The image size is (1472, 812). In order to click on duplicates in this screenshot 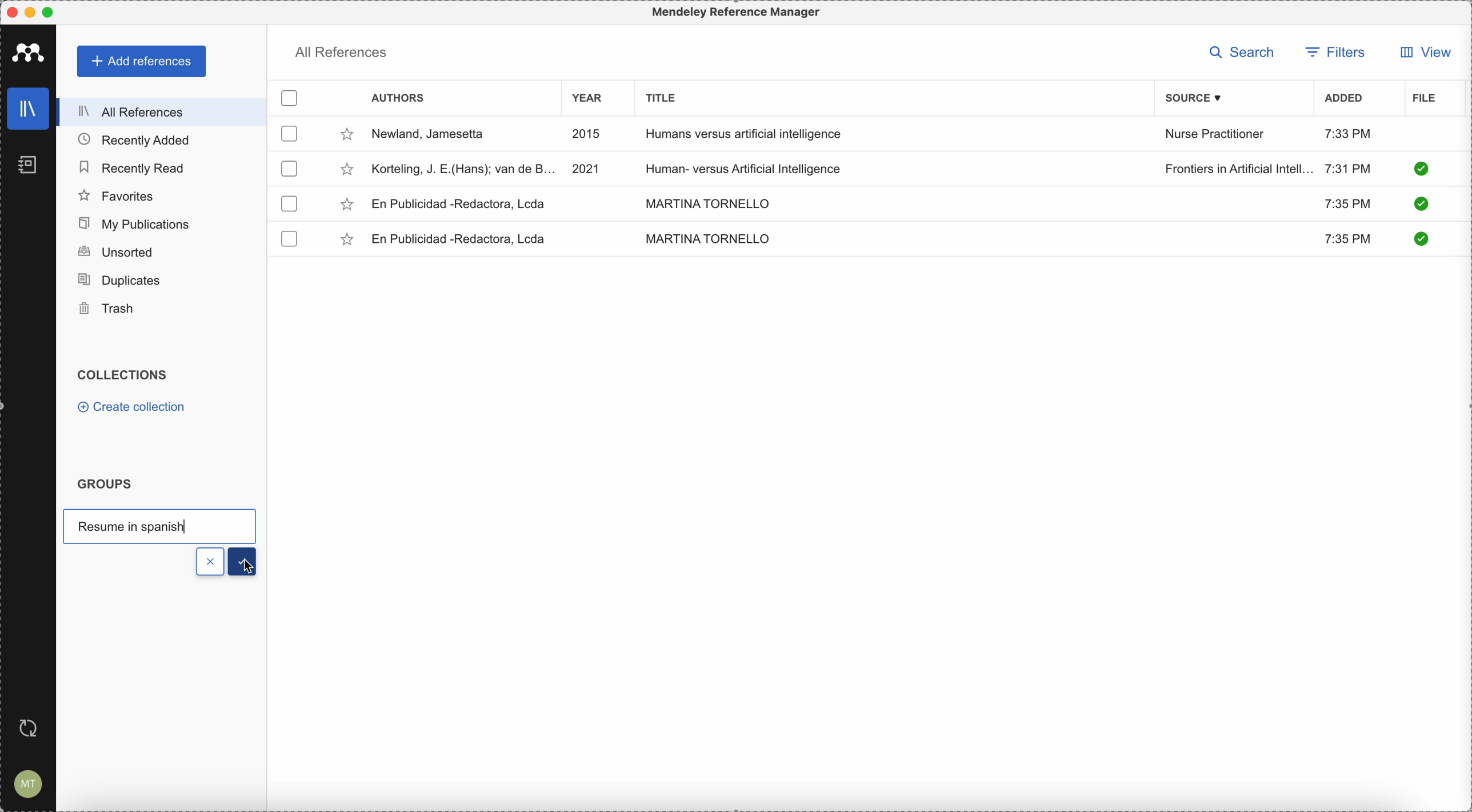, I will do `click(119, 281)`.